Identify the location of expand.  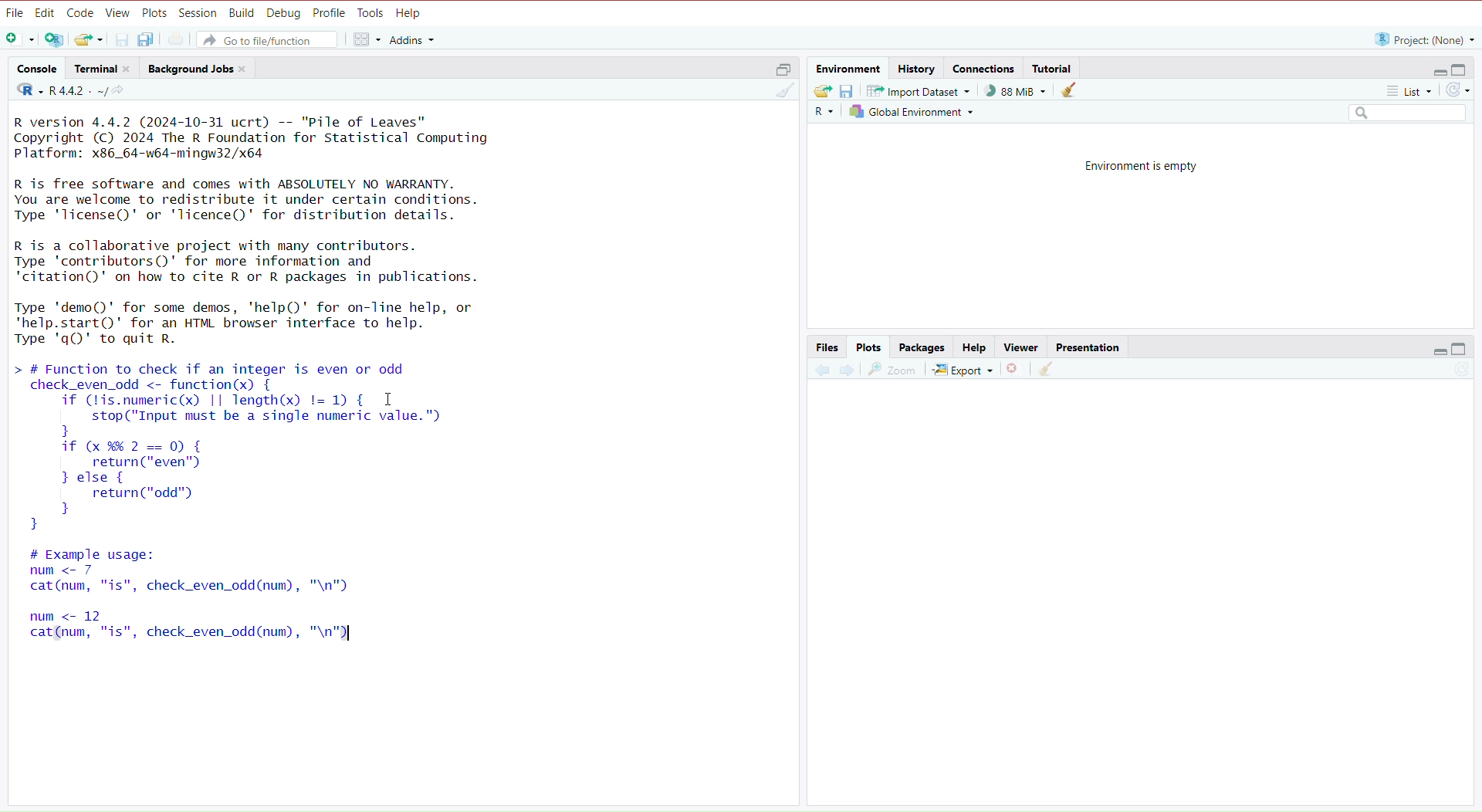
(1435, 71).